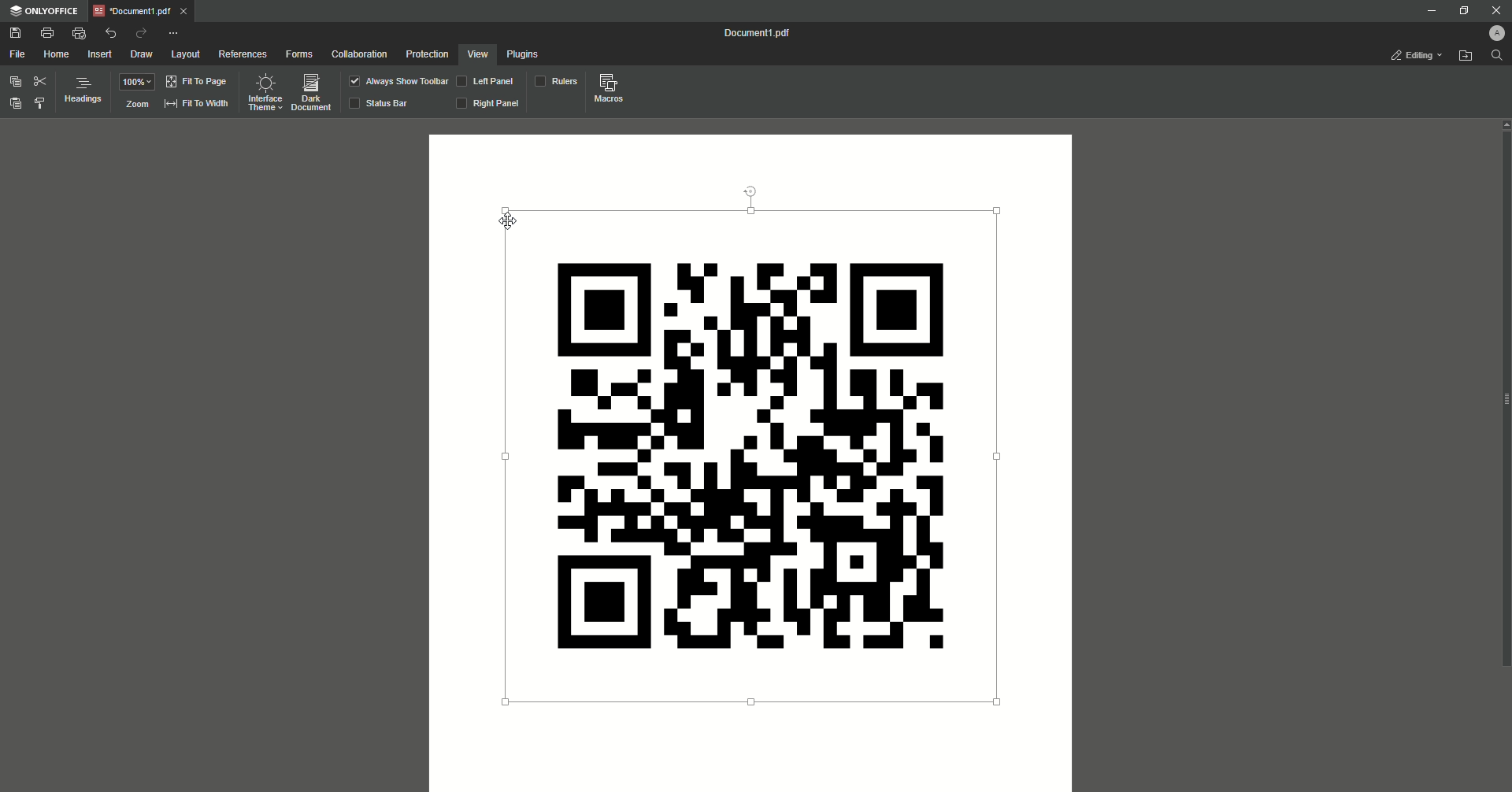  What do you see at coordinates (137, 83) in the screenshot?
I see `100%` at bounding box center [137, 83].